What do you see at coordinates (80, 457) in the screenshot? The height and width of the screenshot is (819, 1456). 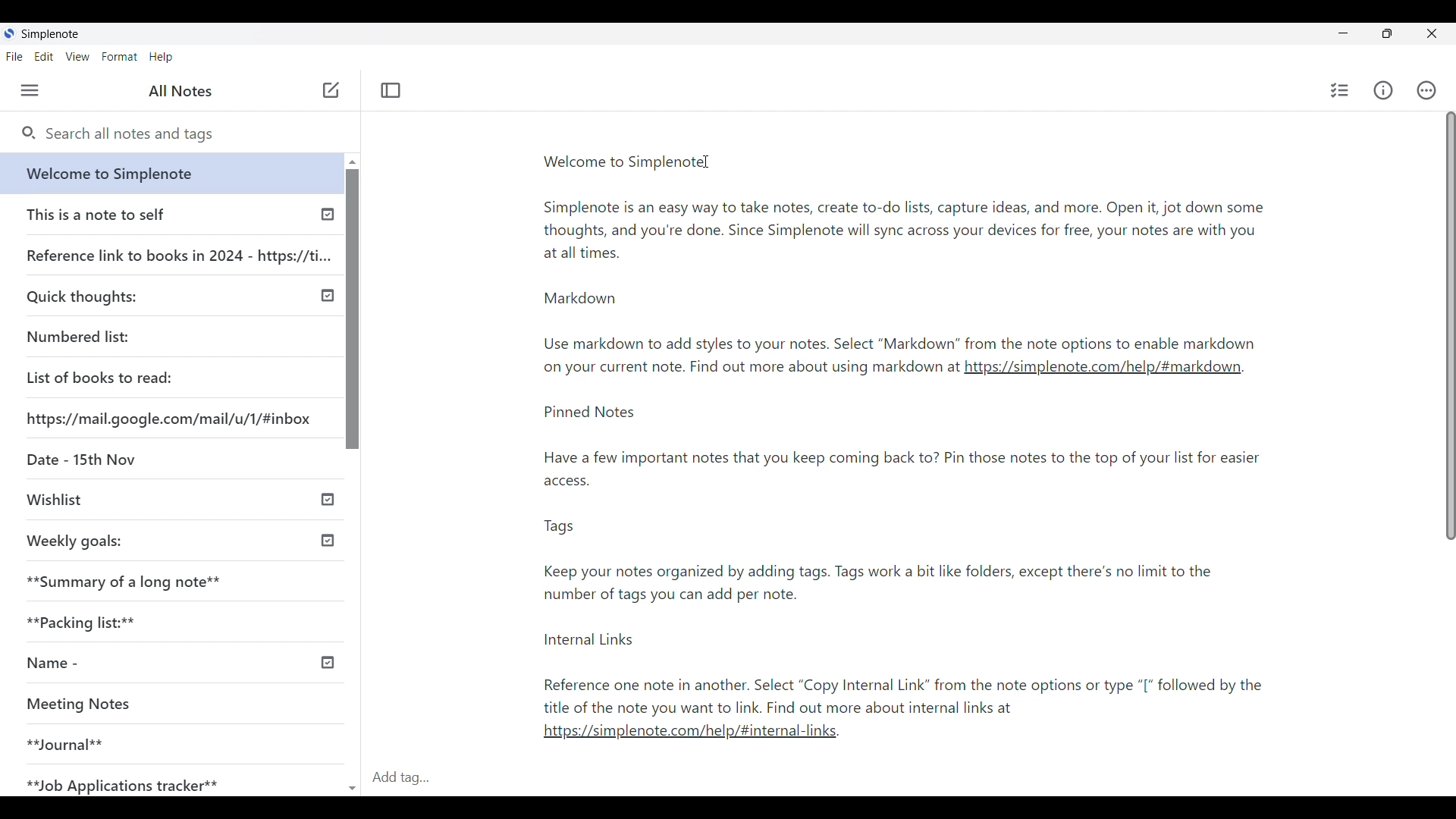 I see `Date` at bounding box center [80, 457].